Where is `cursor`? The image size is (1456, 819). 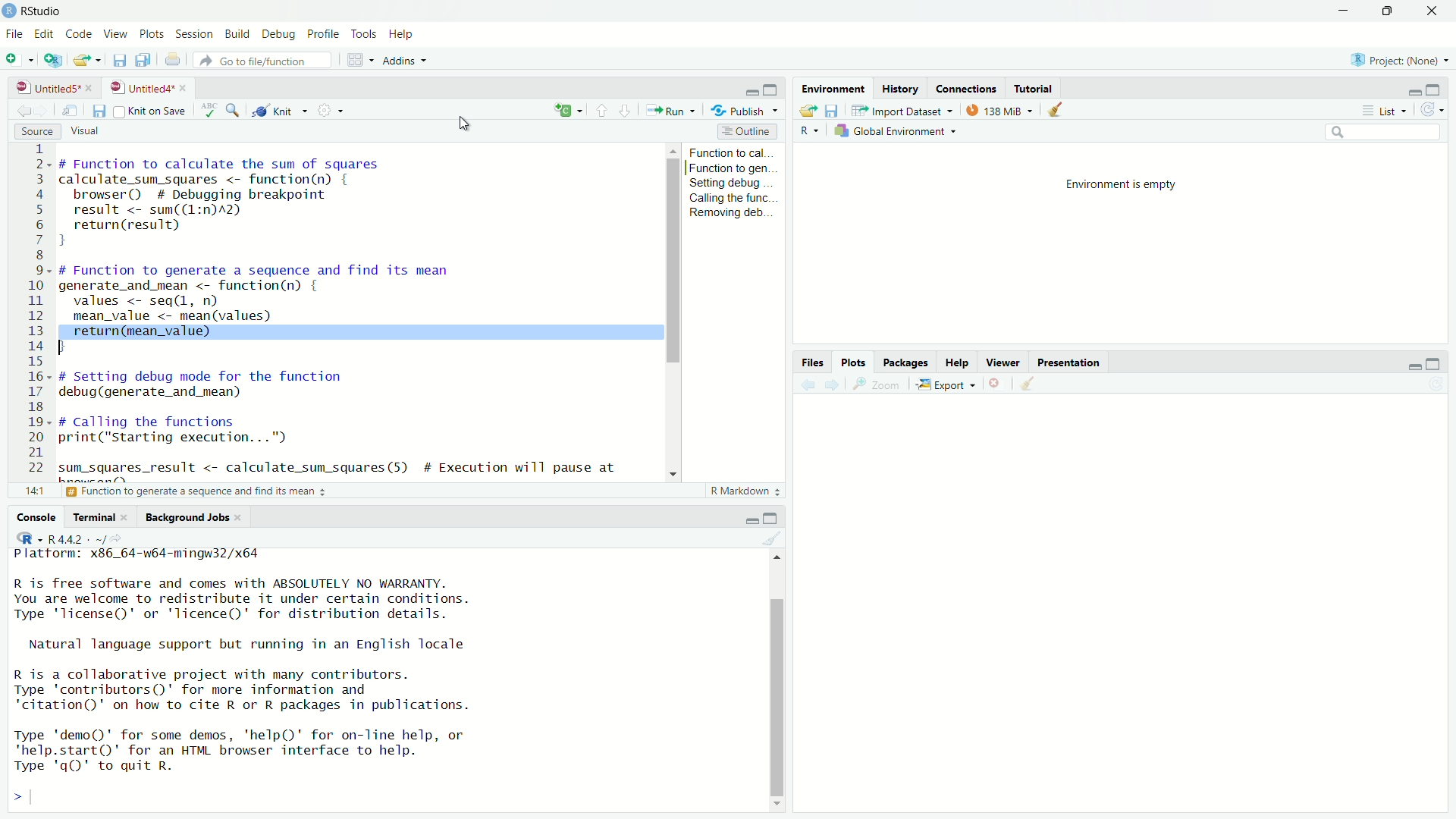
cursor is located at coordinates (462, 125).